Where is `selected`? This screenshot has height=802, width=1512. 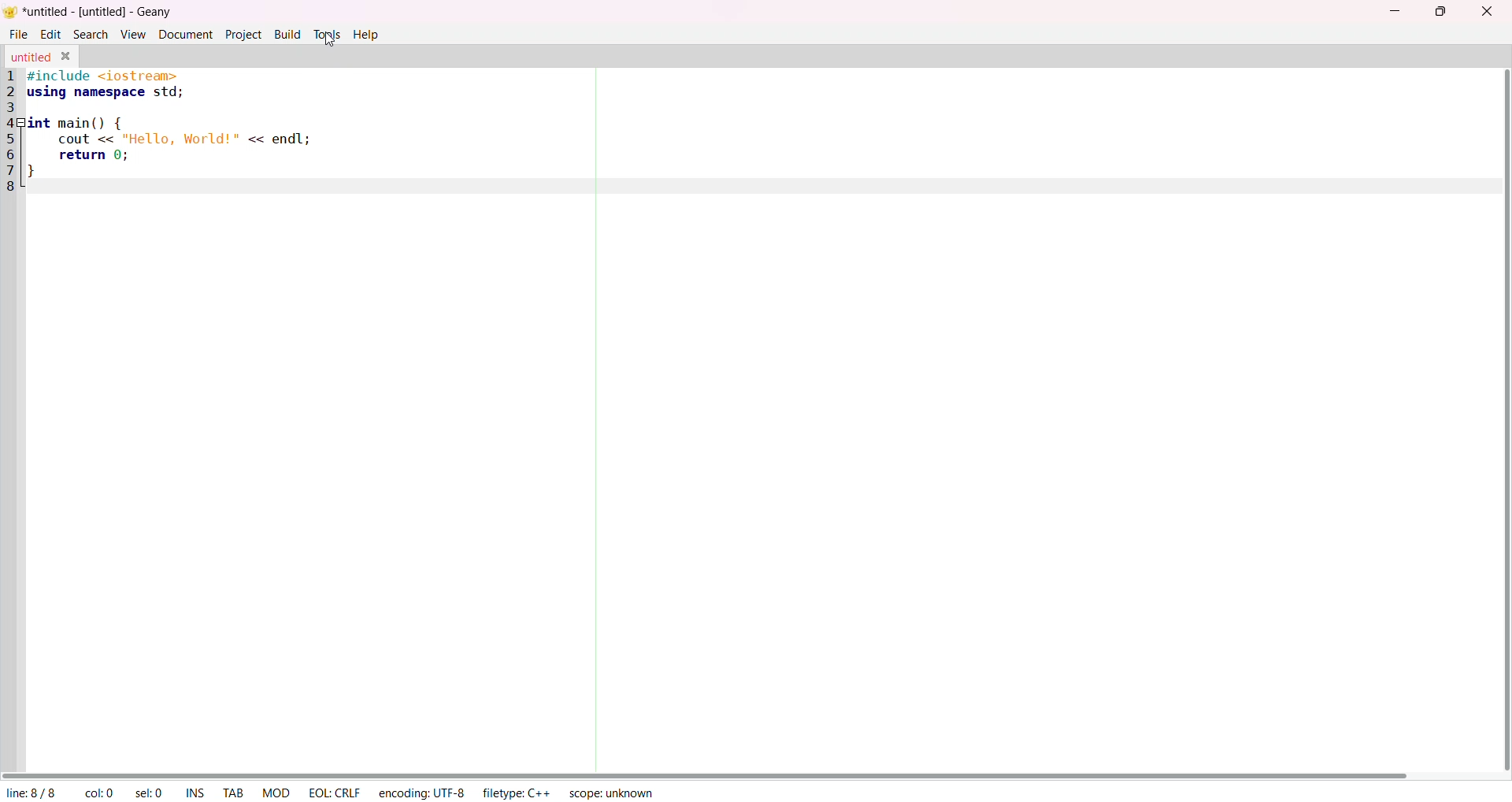 selected is located at coordinates (152, 793).